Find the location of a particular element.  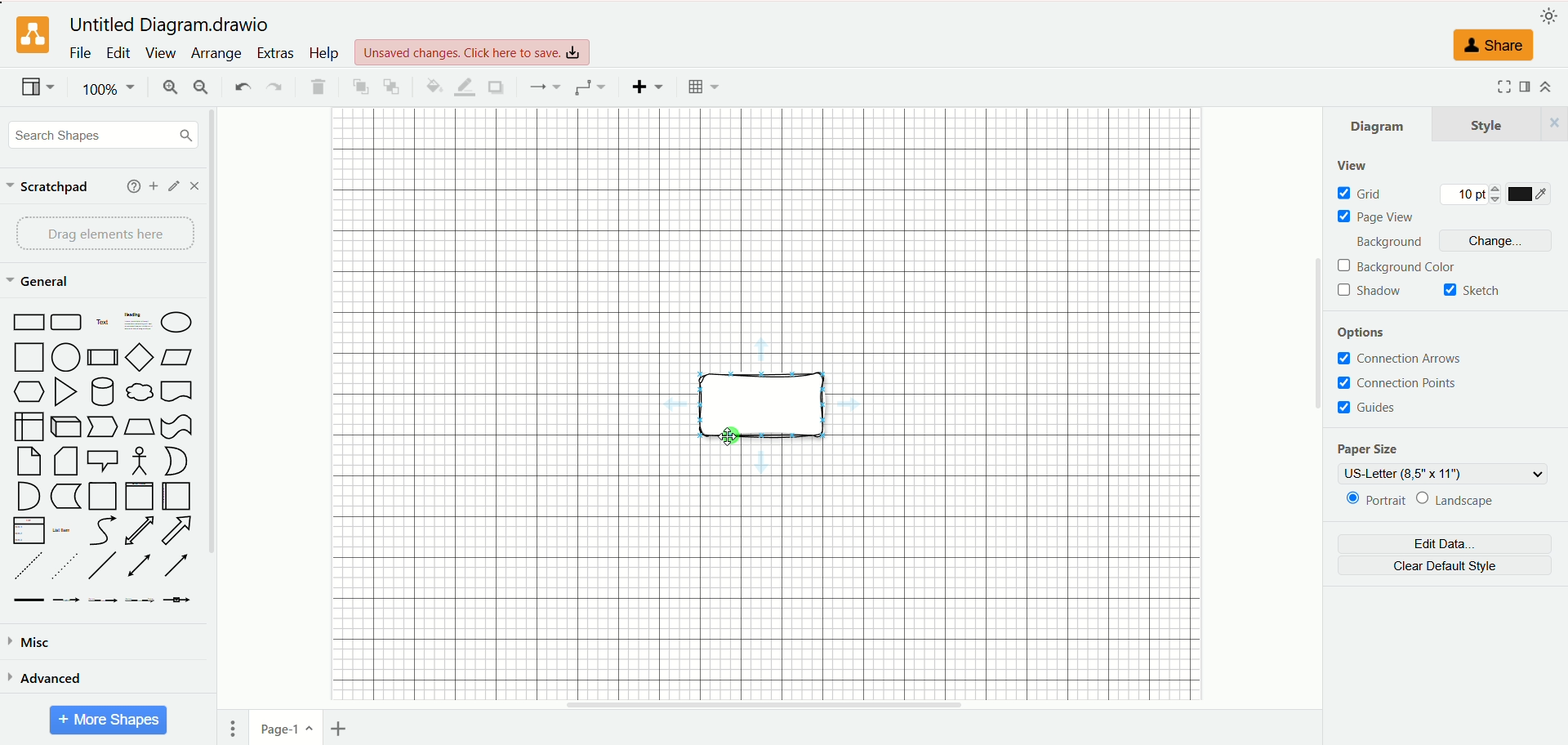

shapes is located at coordinates (101, 459).